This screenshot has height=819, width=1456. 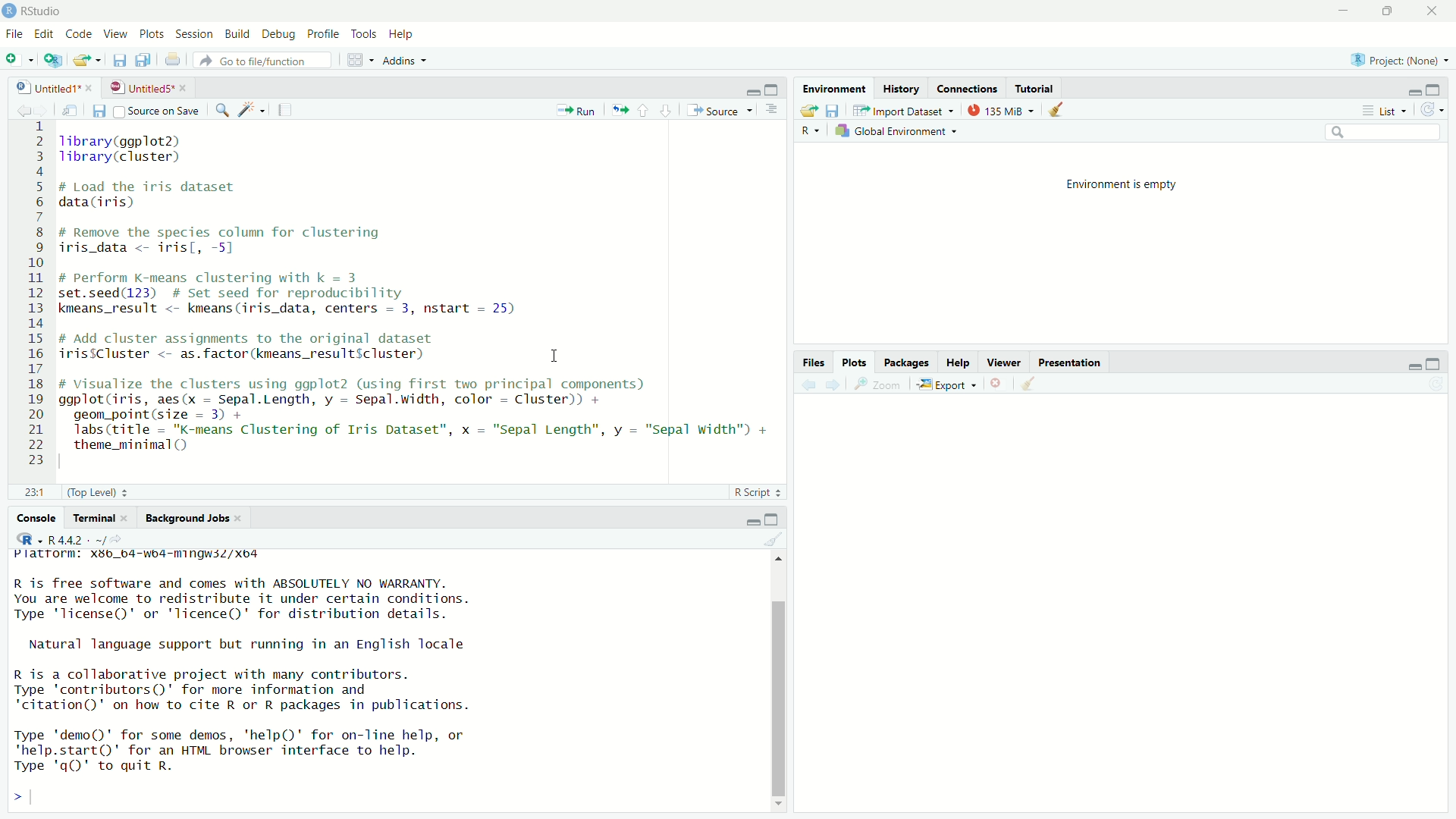 I want to click on untitled1, so click(x=40, y=85).